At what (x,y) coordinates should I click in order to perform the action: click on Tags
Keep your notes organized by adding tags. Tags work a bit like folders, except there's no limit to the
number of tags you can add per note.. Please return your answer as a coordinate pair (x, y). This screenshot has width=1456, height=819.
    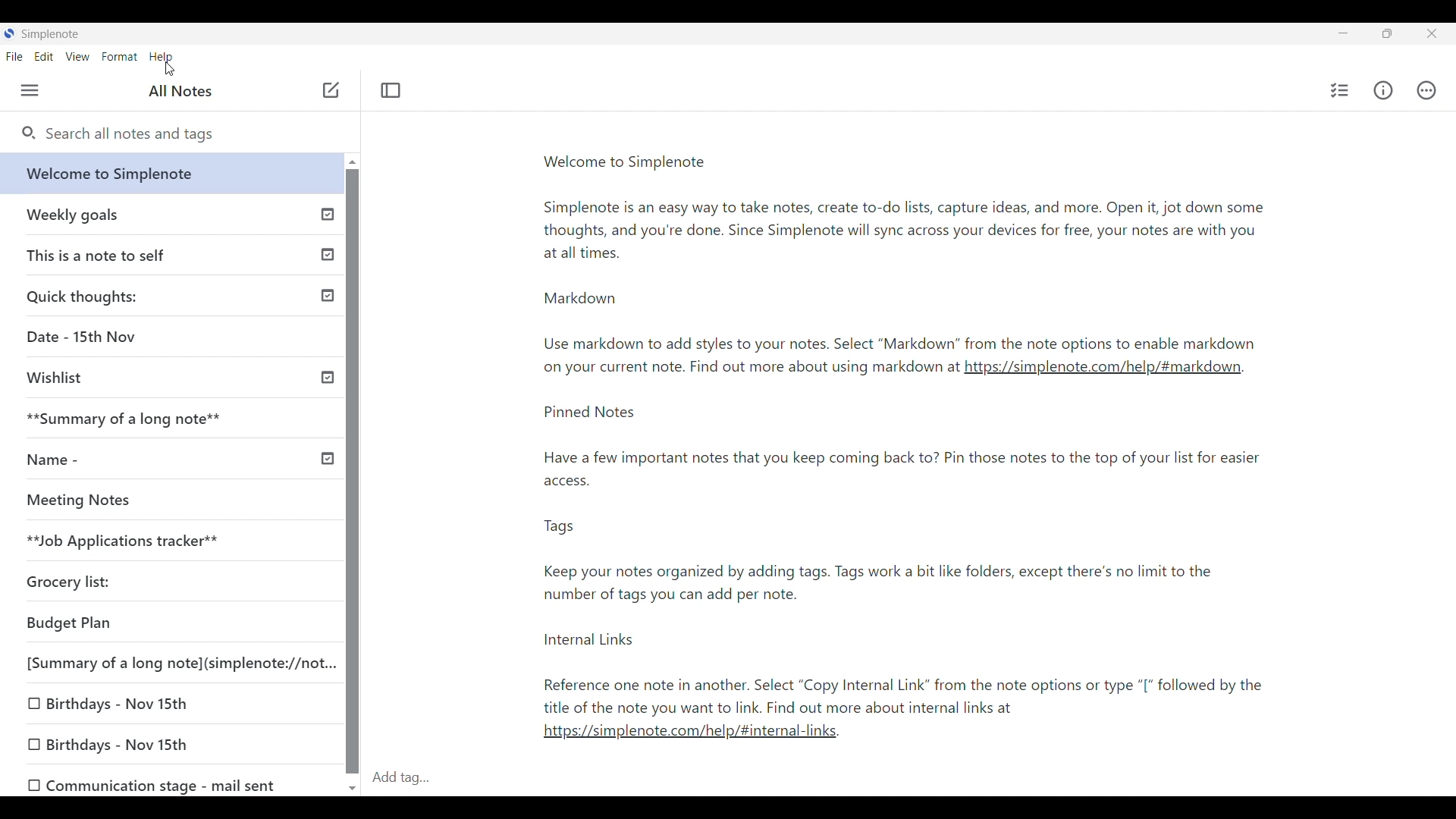
    Looking at the image, I should click on (884, 560).